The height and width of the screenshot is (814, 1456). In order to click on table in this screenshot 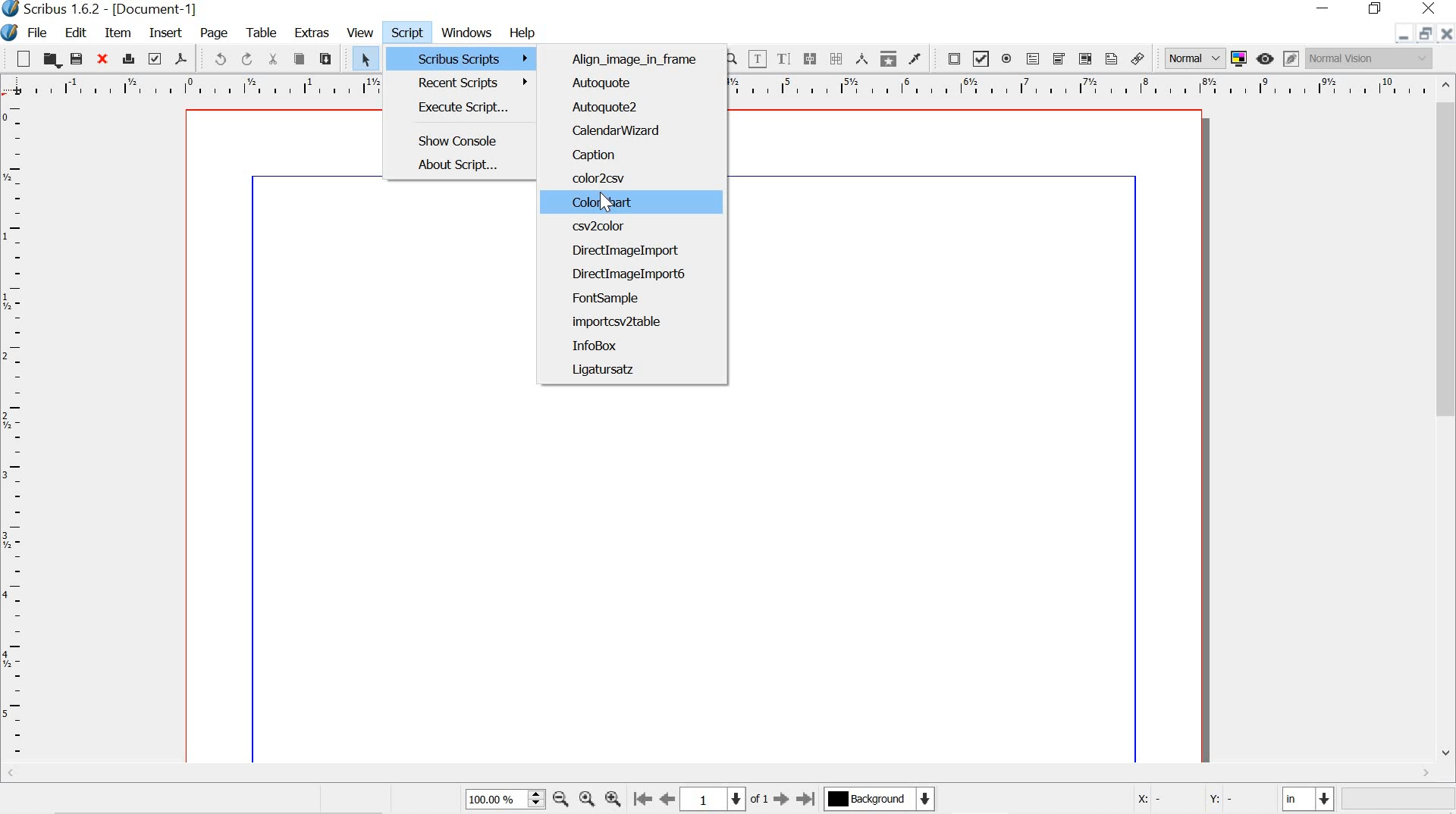, I will do `click(265, 33)`.